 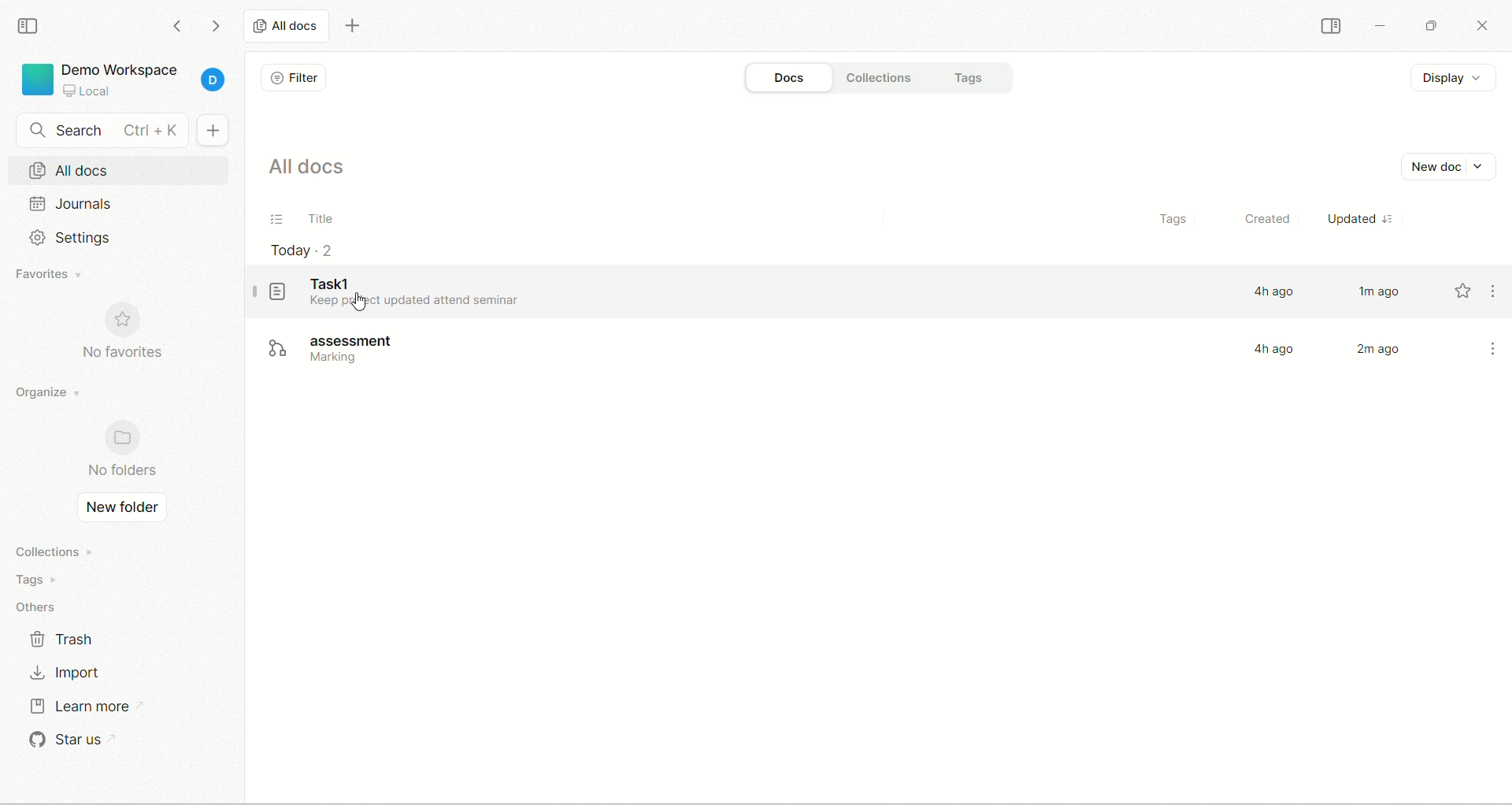 I want to click on go backward, so click(x=176, y=24).